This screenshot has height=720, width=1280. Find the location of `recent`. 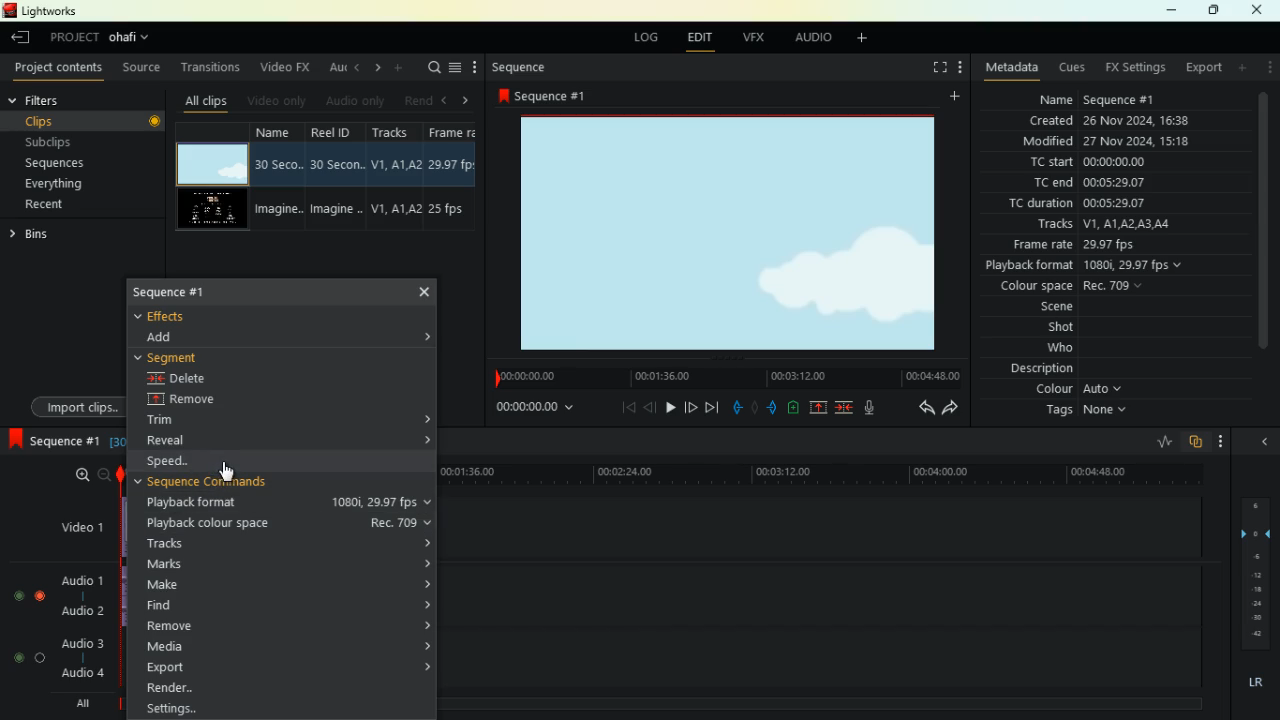

recent is located at coordinates (61, 204).